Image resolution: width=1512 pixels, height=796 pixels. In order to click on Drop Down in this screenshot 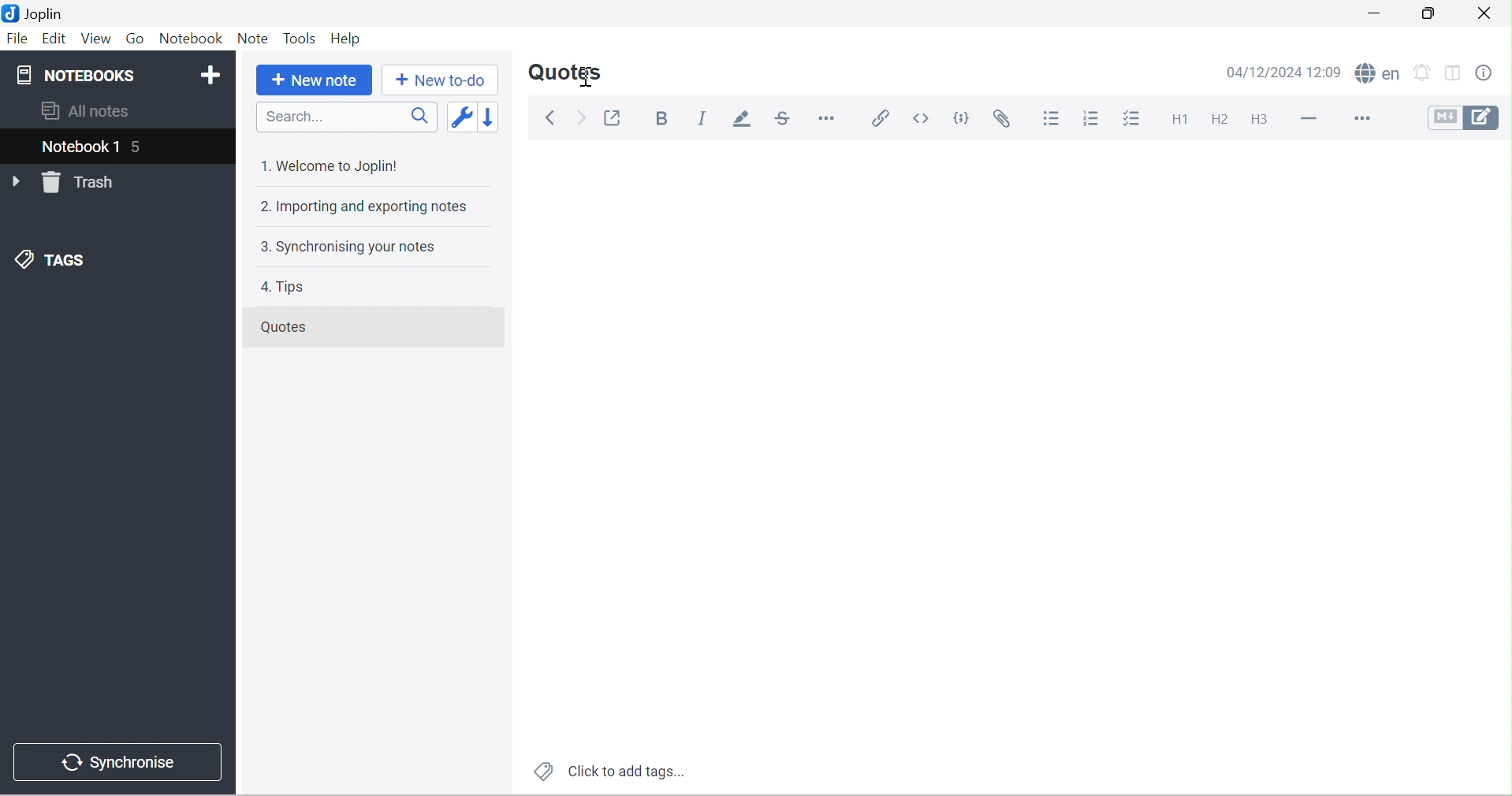, I will do `click(17, 182)`.